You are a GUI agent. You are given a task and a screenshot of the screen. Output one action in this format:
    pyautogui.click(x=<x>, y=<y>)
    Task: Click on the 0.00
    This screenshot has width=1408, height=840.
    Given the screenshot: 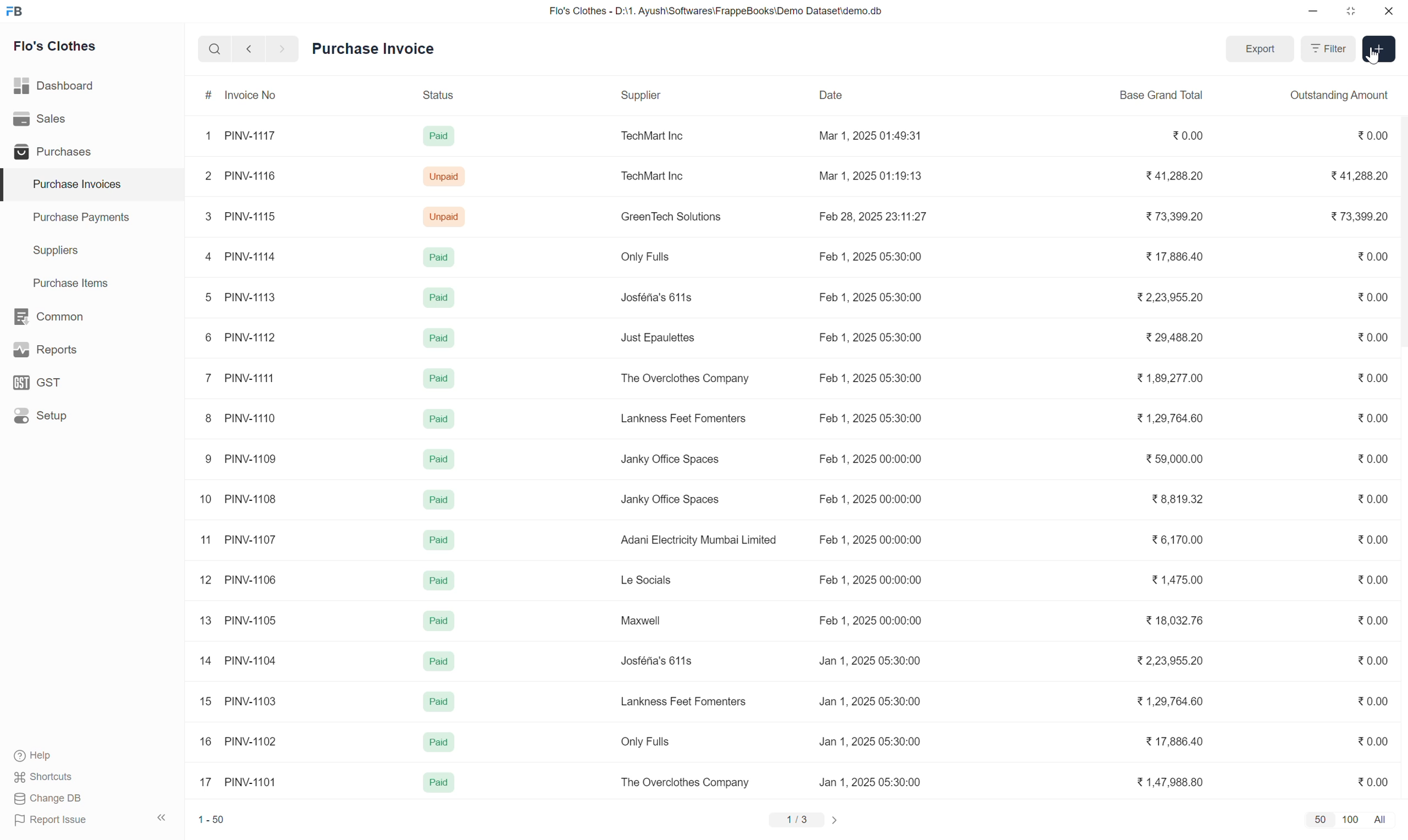 What is the action you would take?
    pyautogui.click(x=1373, y=256)
    